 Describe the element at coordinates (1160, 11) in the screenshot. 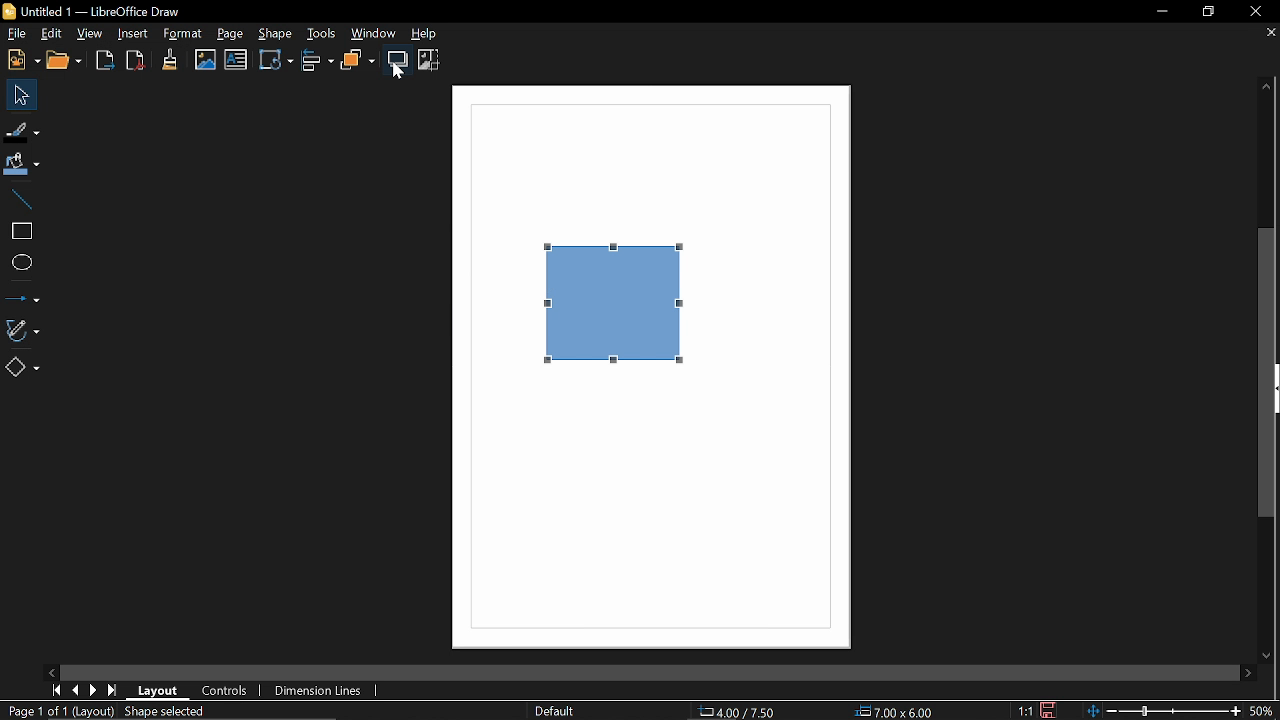

I see `Minimize` at that location.